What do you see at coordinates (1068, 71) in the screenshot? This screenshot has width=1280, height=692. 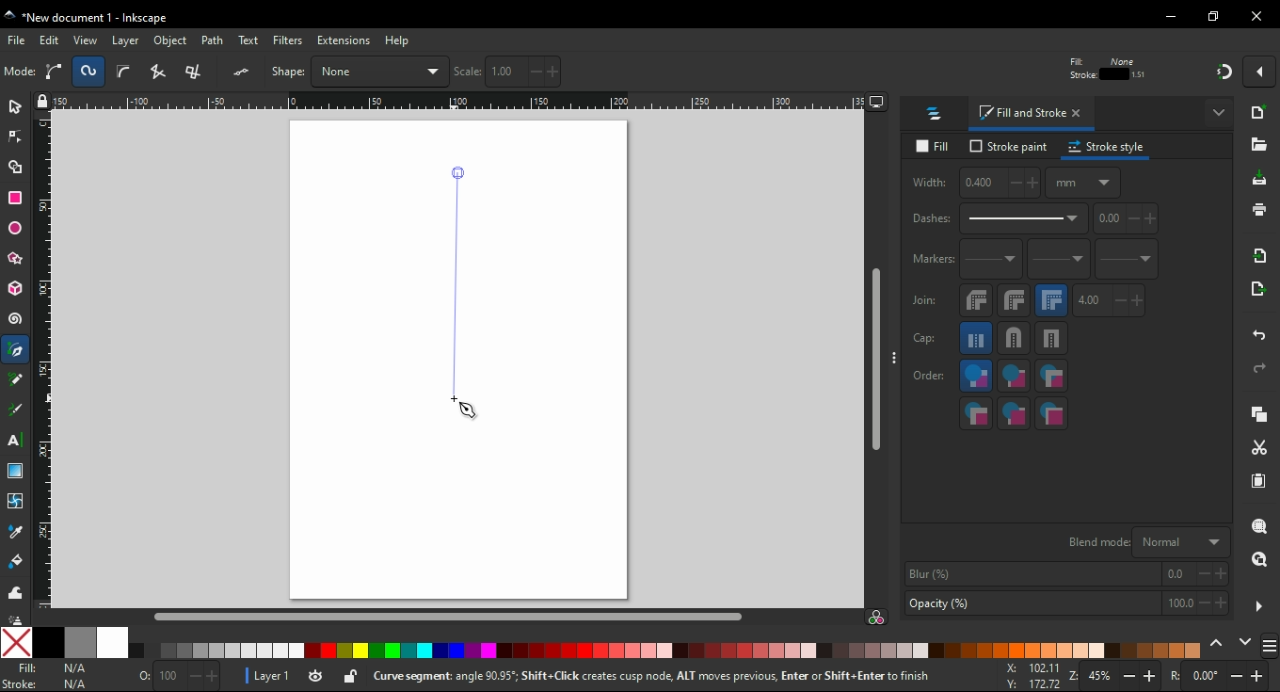 I see `when scaling objects, scale the stroke width with same proportion` at bounding box center [1068, 71].